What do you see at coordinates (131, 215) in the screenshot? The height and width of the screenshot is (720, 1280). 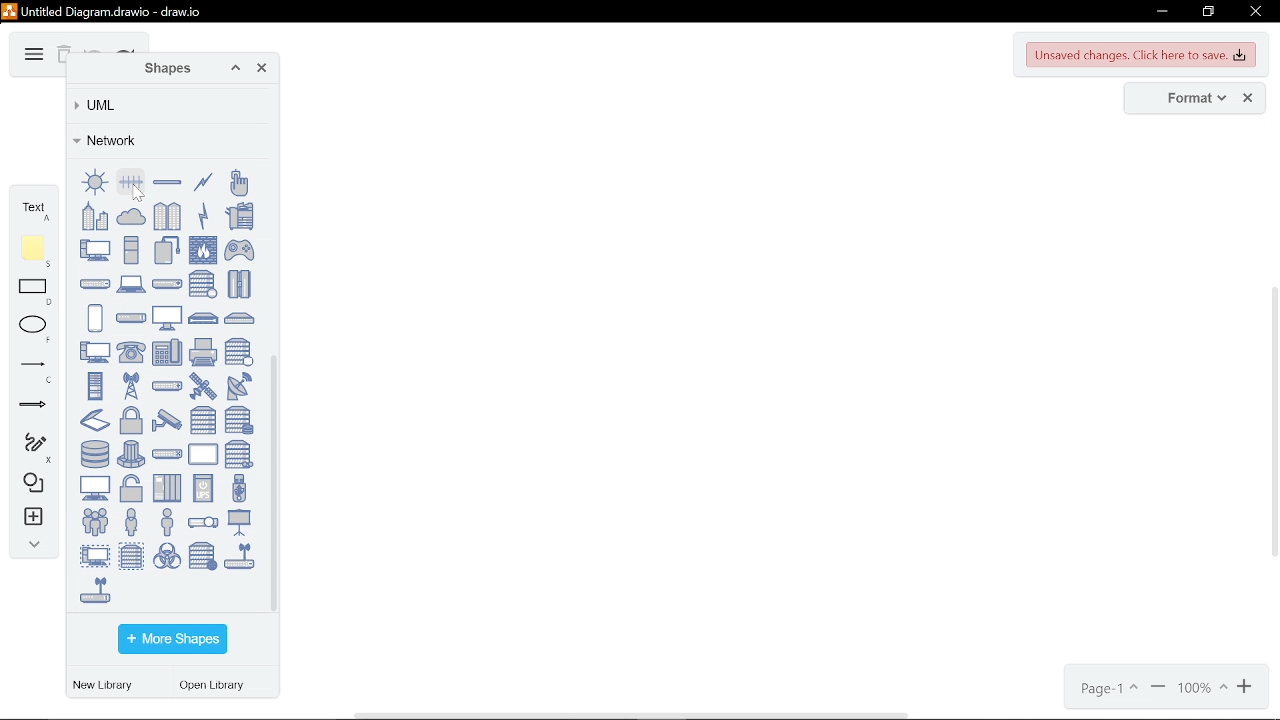 I see `cloud` at bounding box center [131, 215].